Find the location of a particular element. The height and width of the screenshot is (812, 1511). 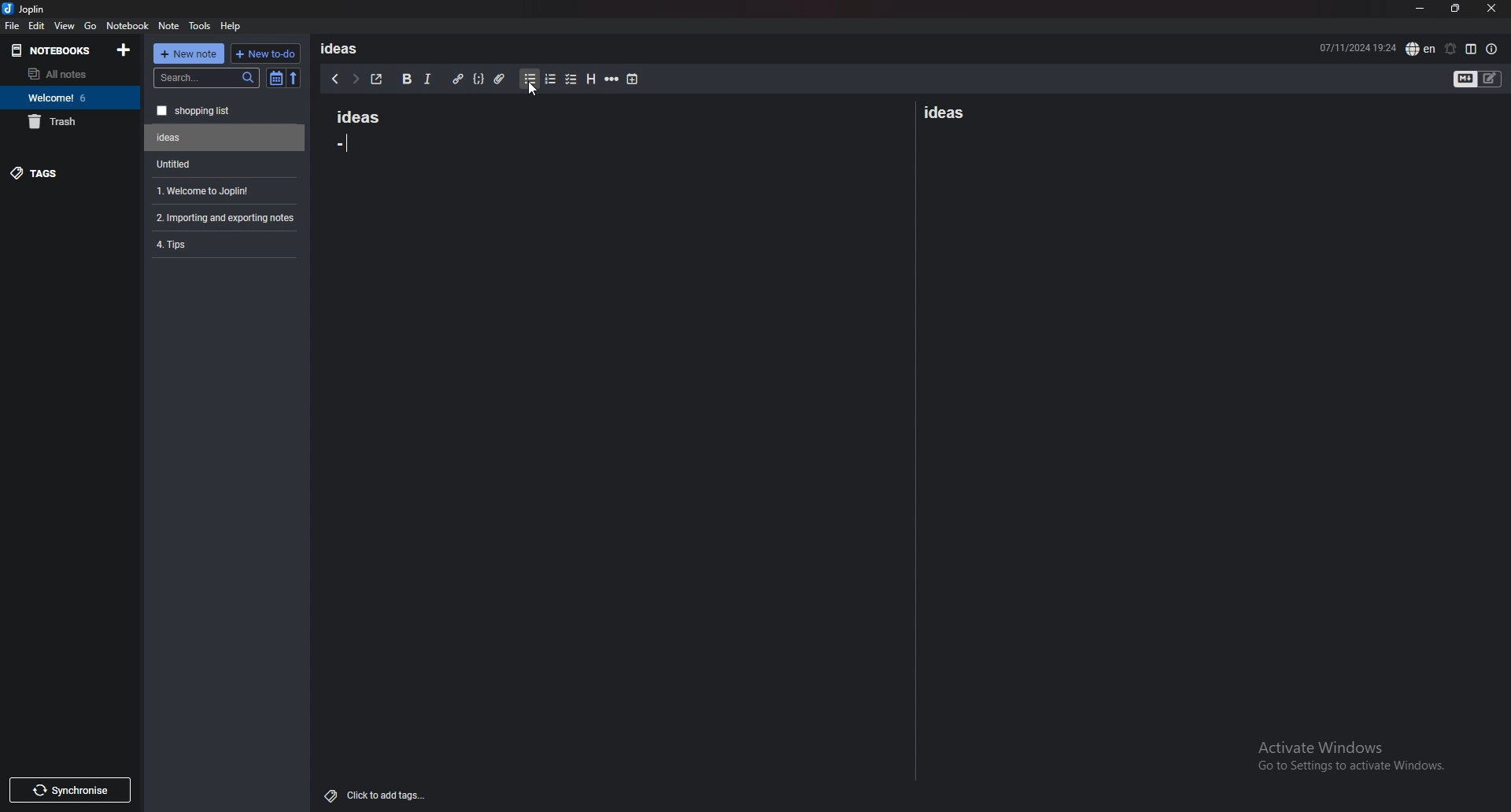

notebooks is located at coordinates (56, 50).